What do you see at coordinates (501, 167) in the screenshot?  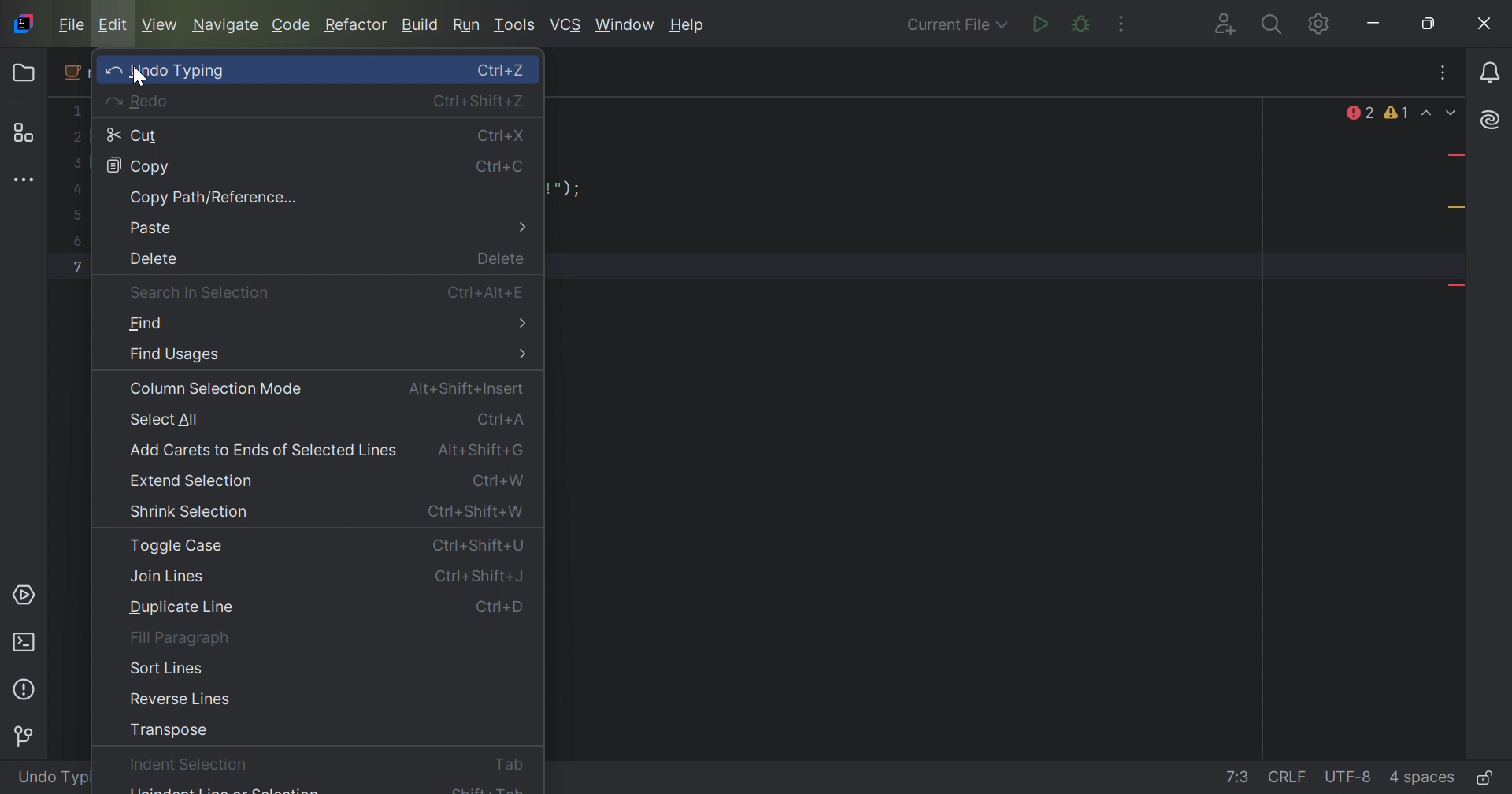 I see `Ctrl+C` at bounding box center [501, 167].